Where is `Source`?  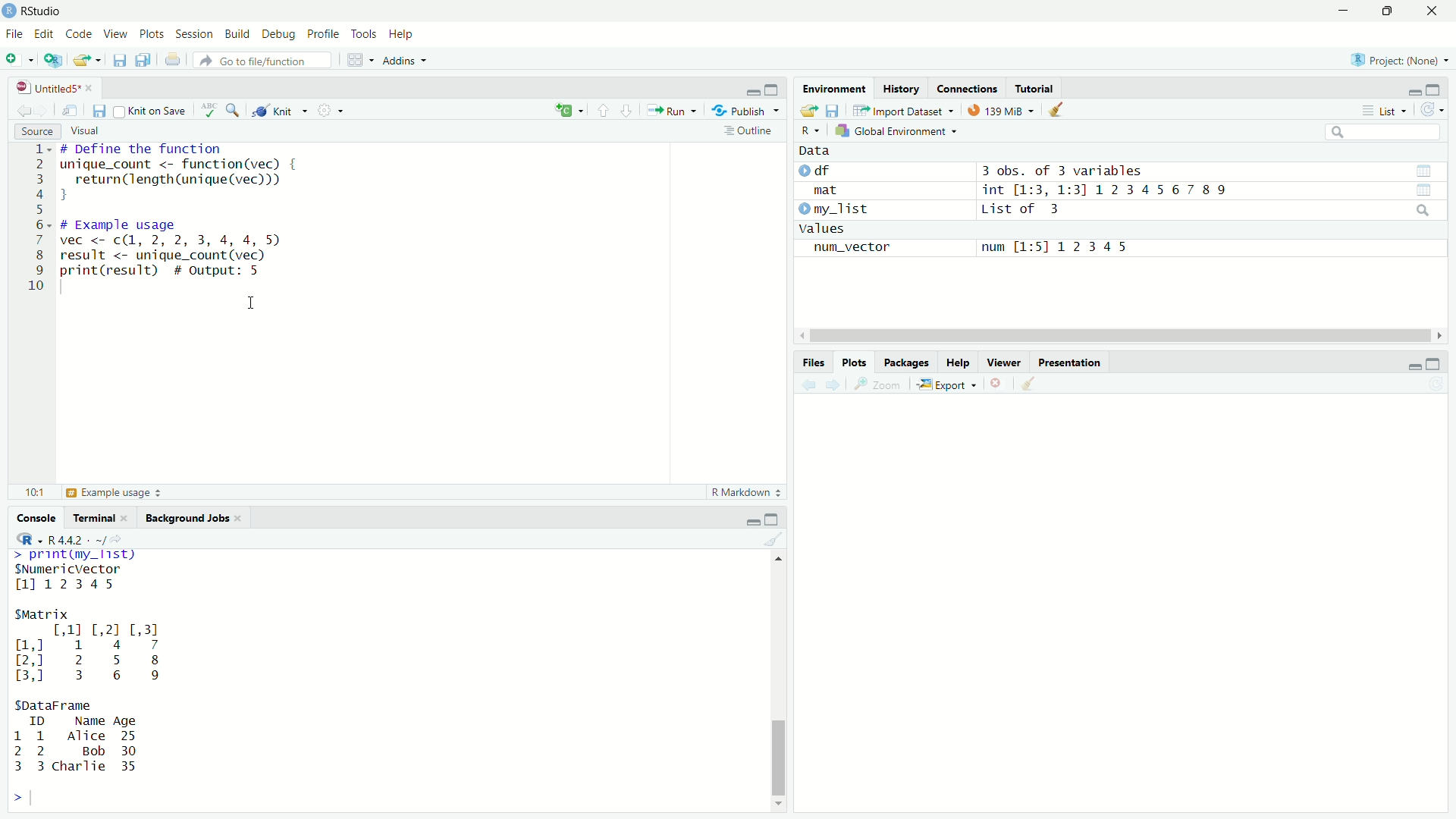 Source is located at coordinates (35, 130).